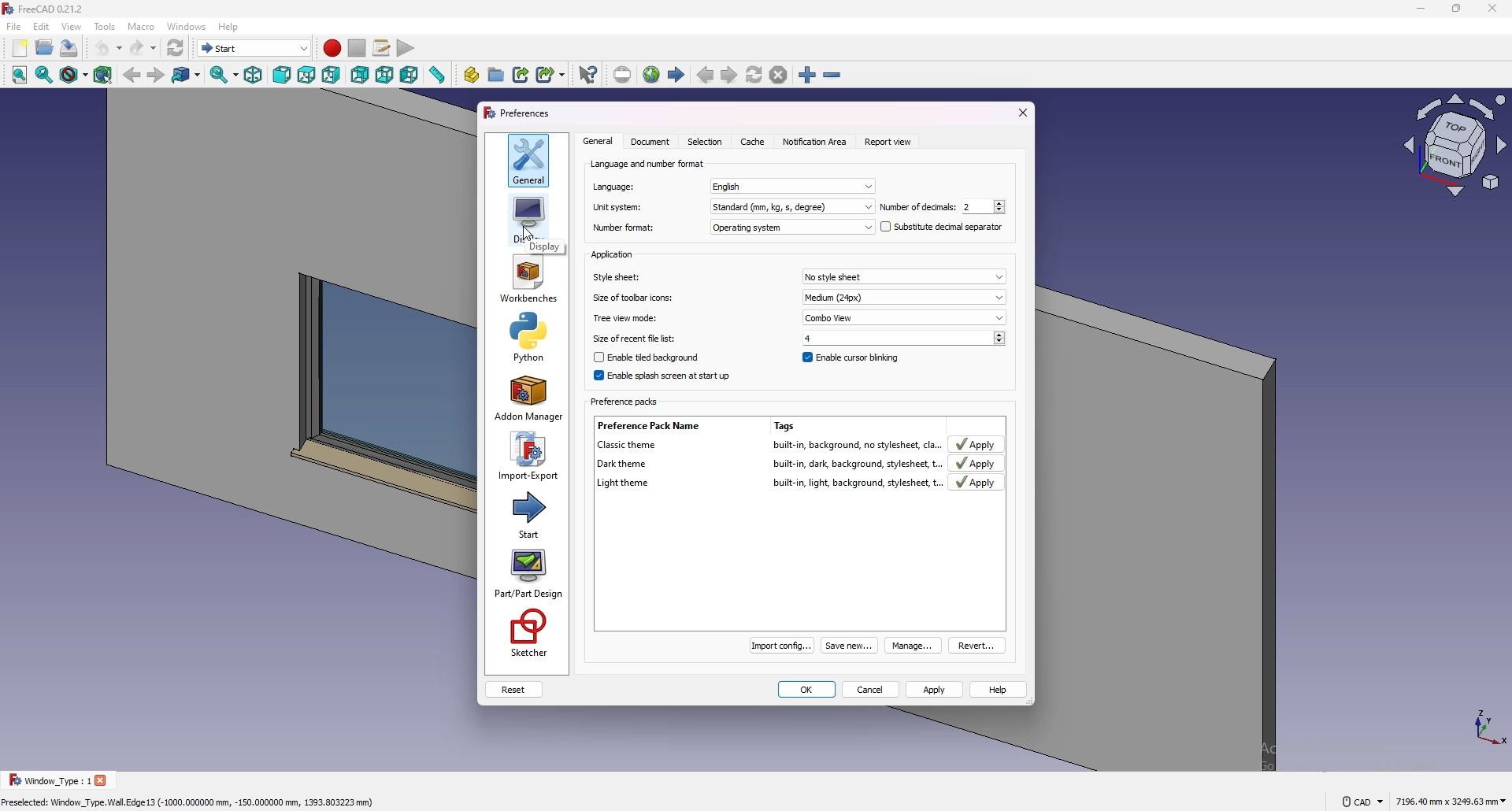  I want to click on refresh, so click(176, 48).